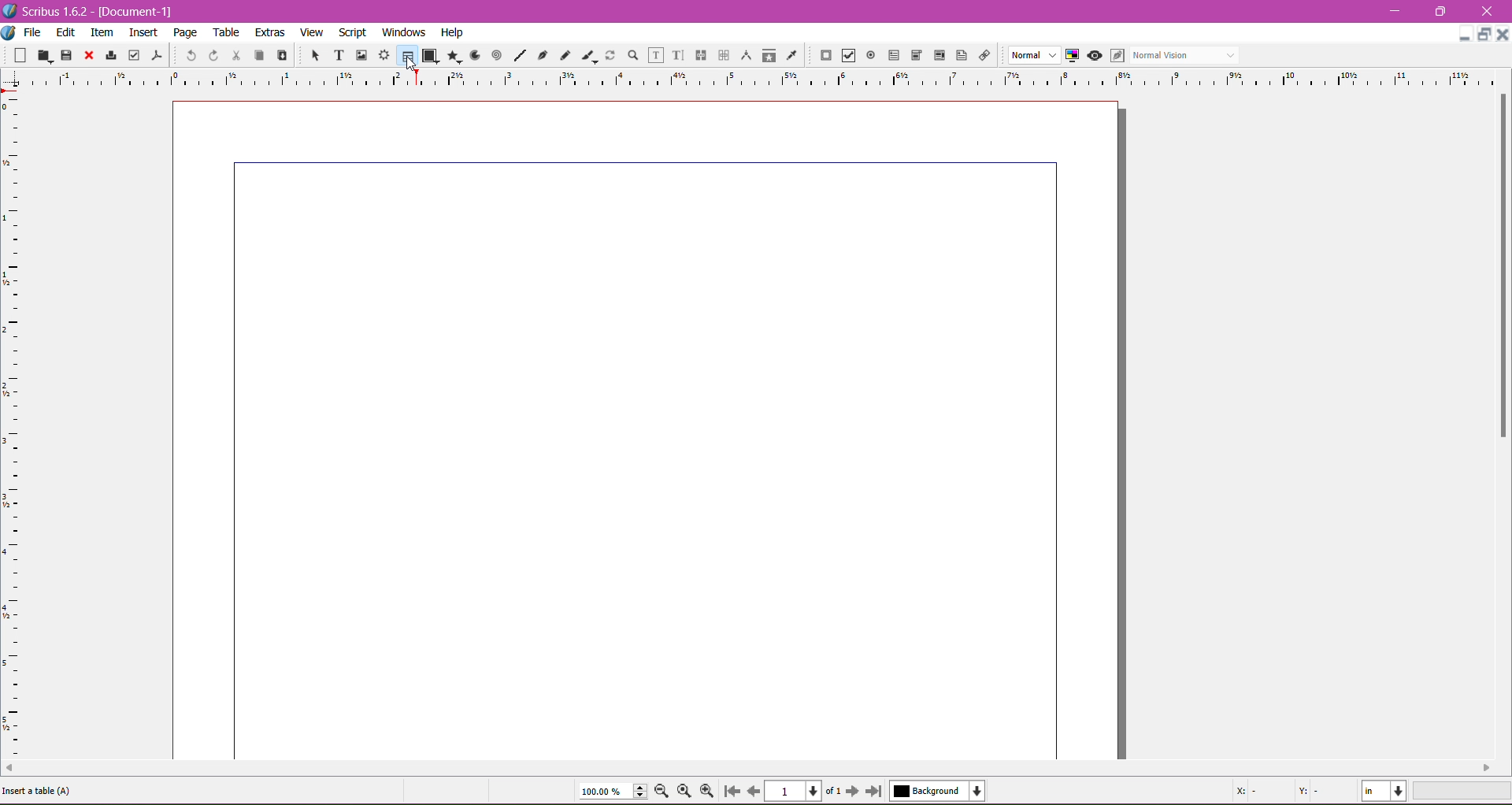 Image resolution: width=1512 pixels, height=805 pixels. I want to click on Table, so click(228, 32).